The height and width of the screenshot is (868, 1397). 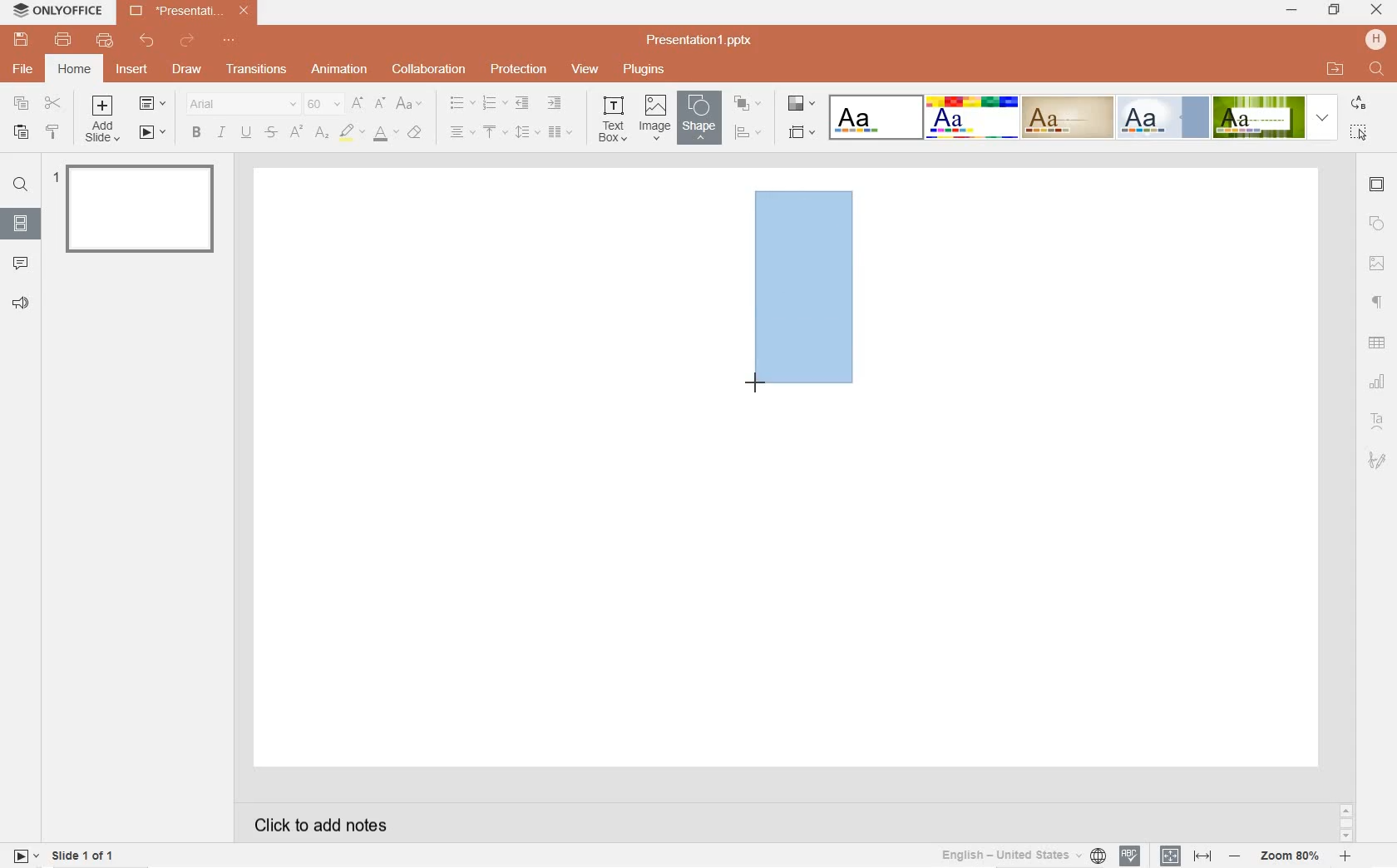 I want to click on clear style, so click(x=417, y=133).